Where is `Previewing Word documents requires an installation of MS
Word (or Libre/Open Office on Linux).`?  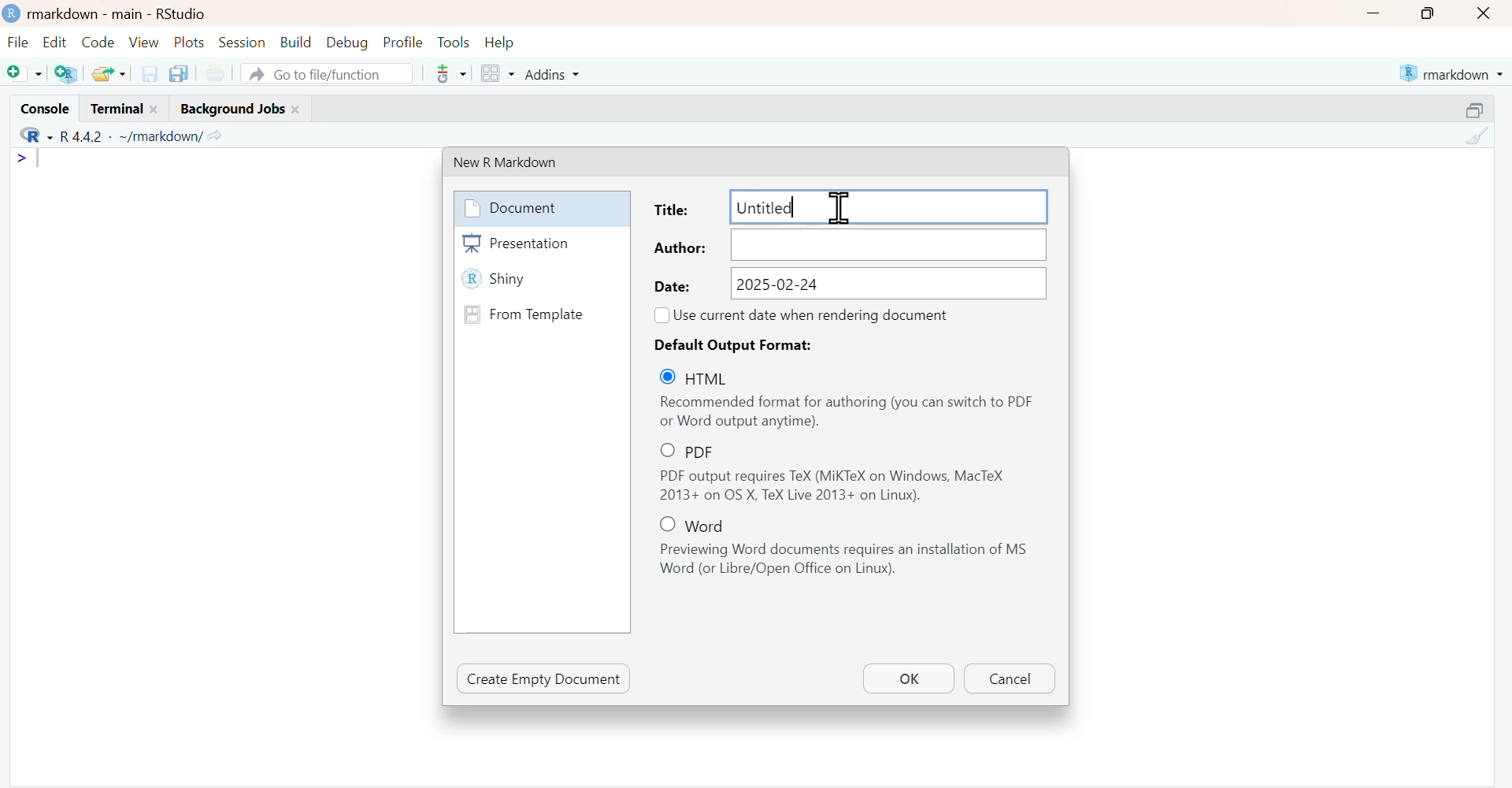
Previewing Word documents requires an installation of MS
Word (or Libre/Open Office on Linux). is located at coordinates (849, 560).